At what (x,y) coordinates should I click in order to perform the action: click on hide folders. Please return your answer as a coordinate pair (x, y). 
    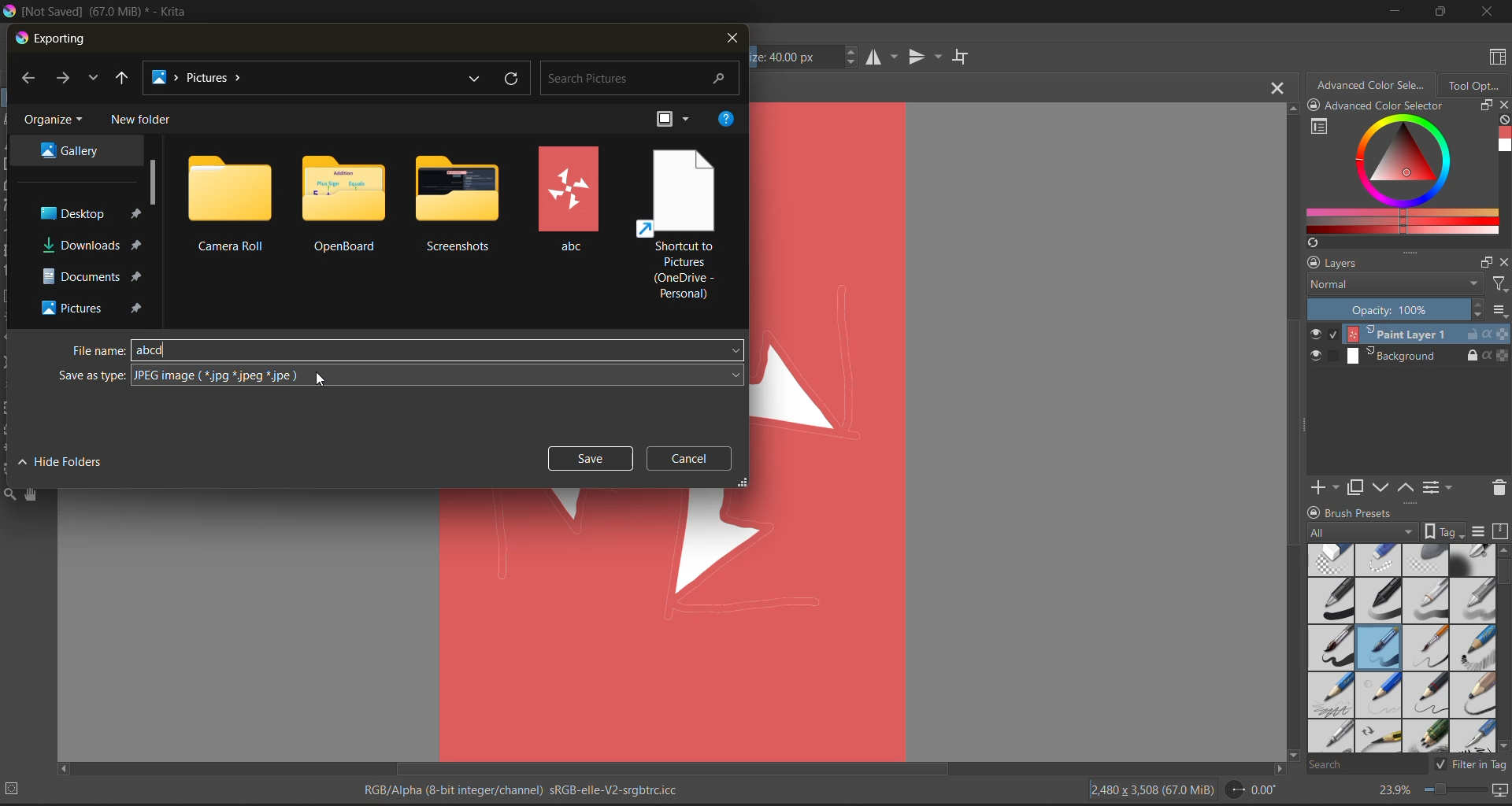
    Looking at the image, I should click on (58, 464).